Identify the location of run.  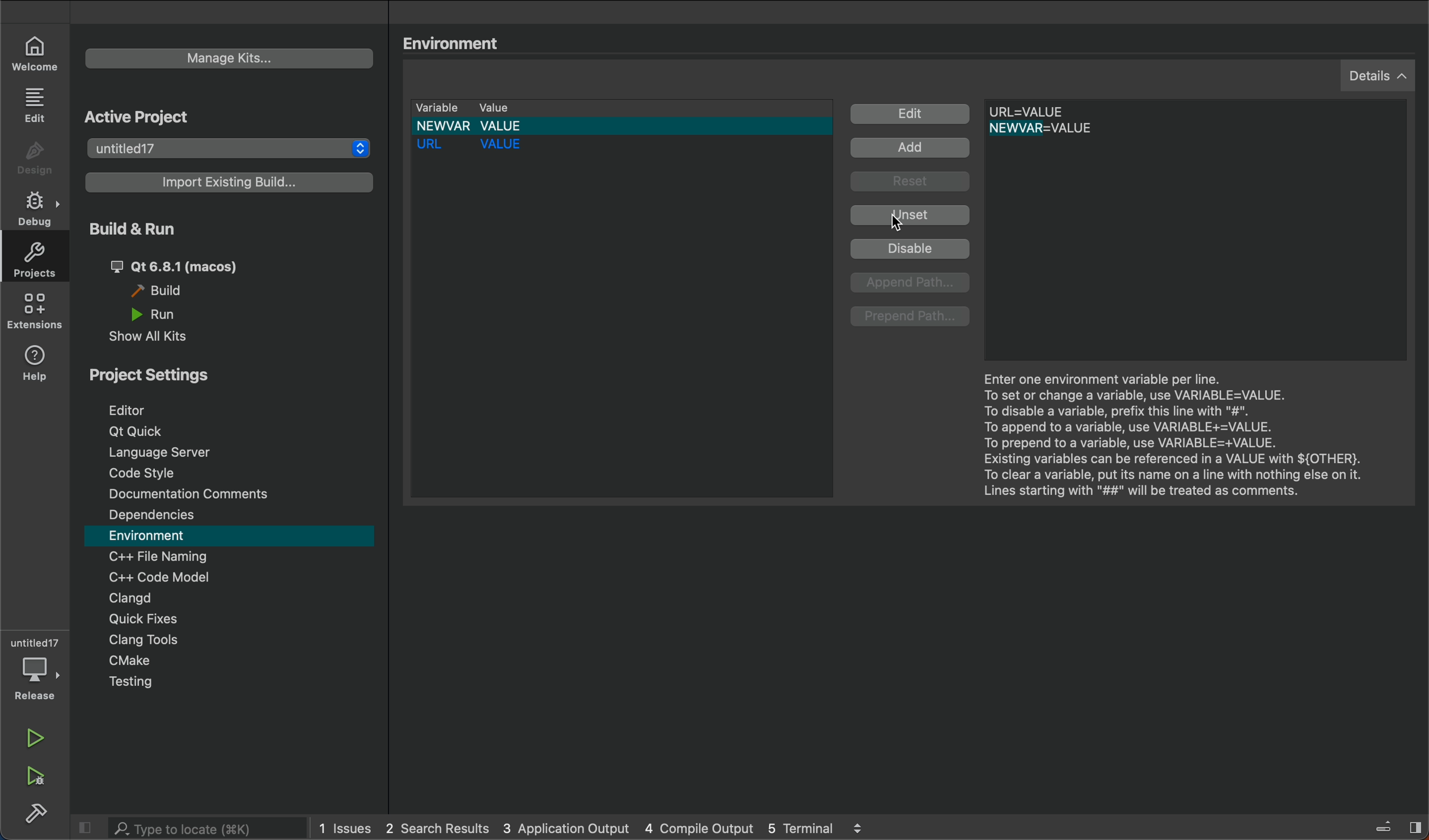
(159, 315).